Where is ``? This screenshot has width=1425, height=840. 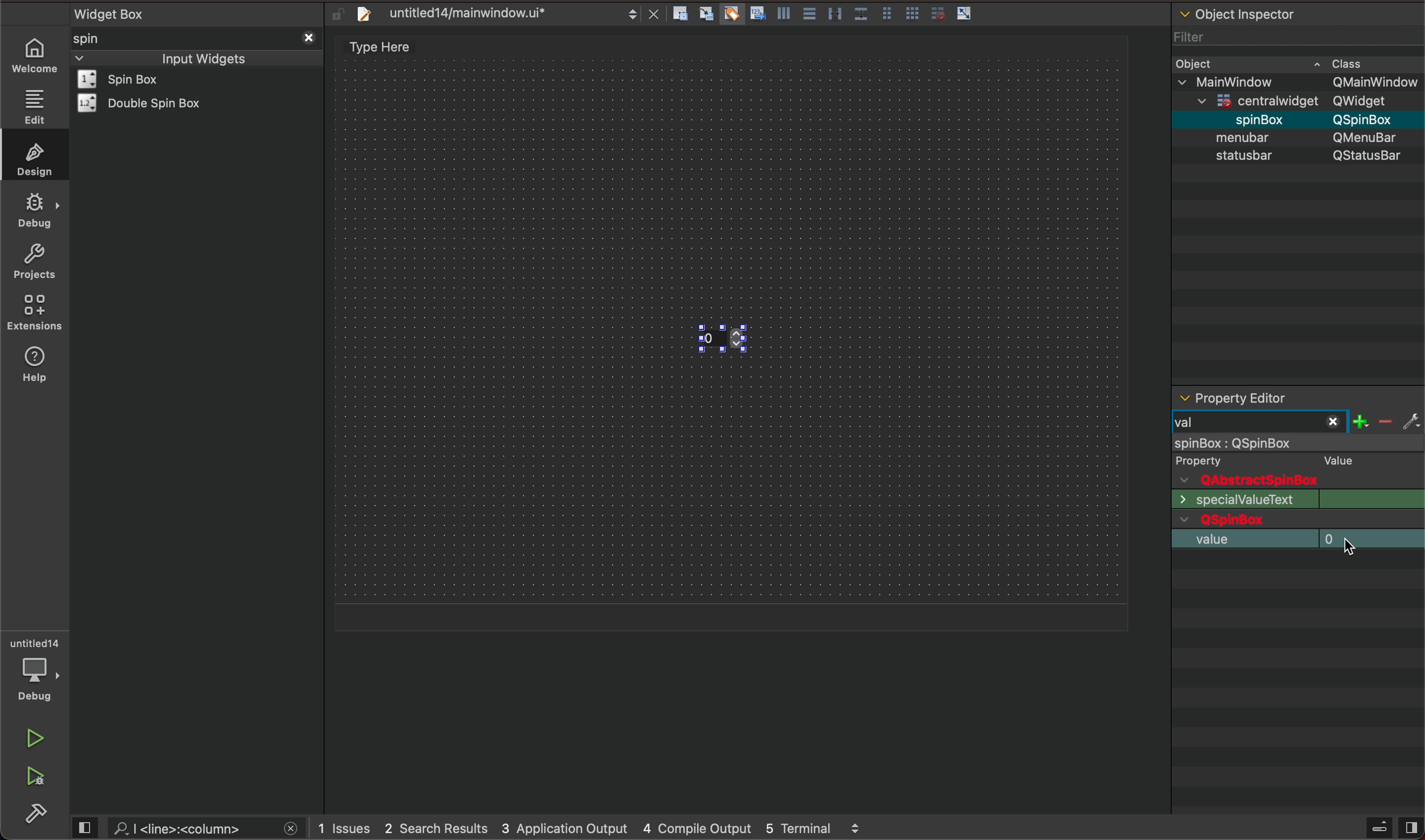
 is located at coordinates (1369, 137).